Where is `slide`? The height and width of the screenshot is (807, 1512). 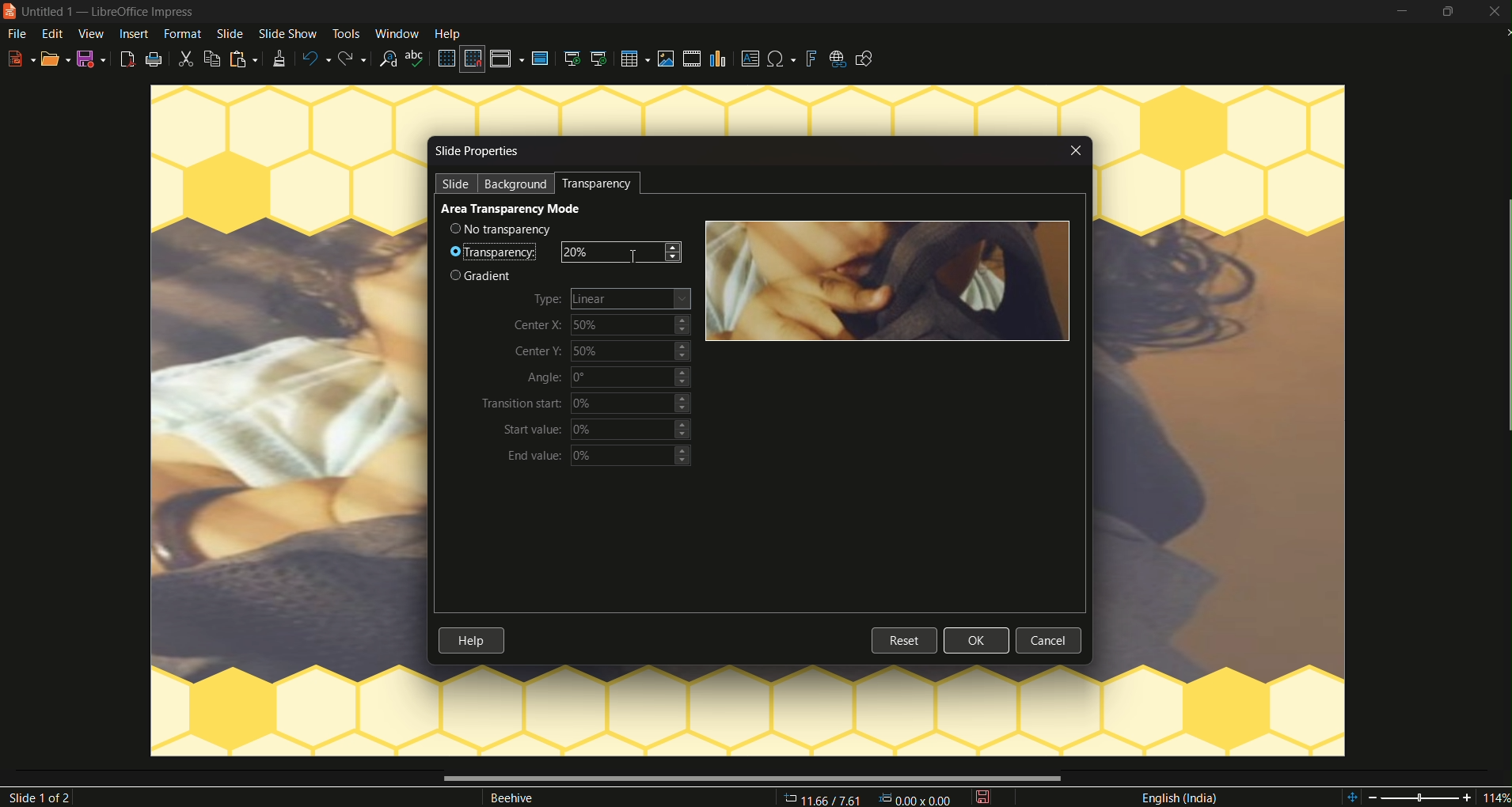 slide is located at coordinates (230, 33).